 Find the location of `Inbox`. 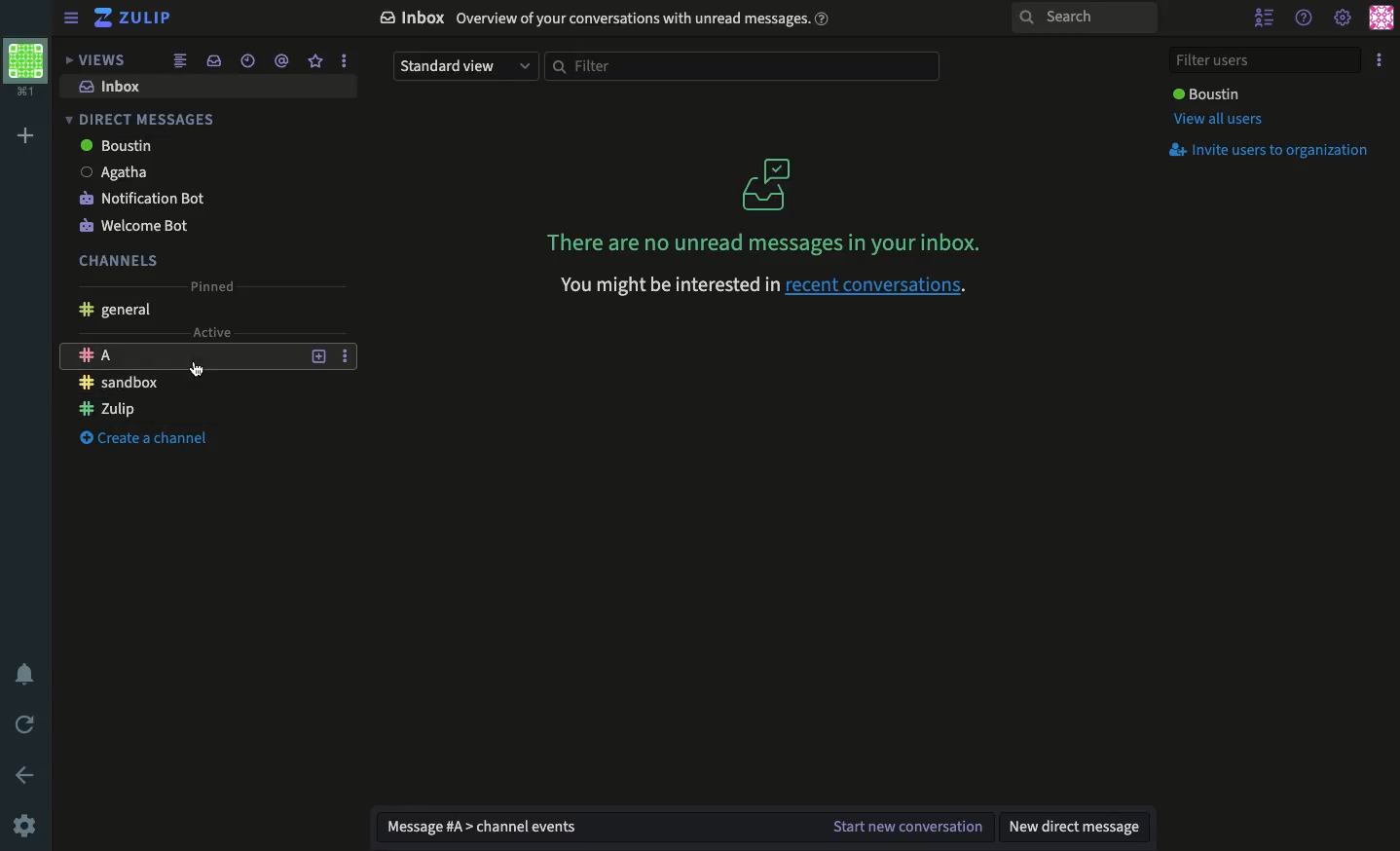

Inbox is located at coordinates (586, 19).